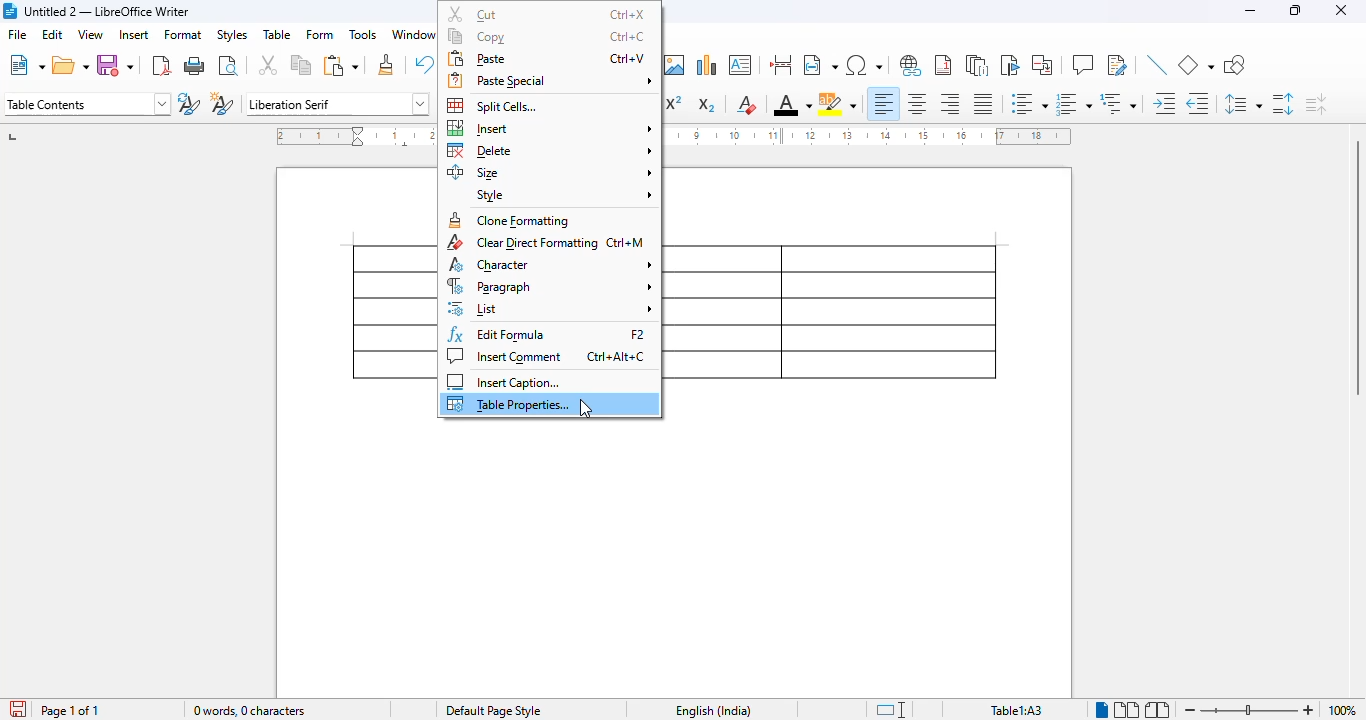 The image size is (1366, 720). What do you see at coordinates (18, 709) in the screenshot?
I see `click to save the document` at bounding box center [18, 709].